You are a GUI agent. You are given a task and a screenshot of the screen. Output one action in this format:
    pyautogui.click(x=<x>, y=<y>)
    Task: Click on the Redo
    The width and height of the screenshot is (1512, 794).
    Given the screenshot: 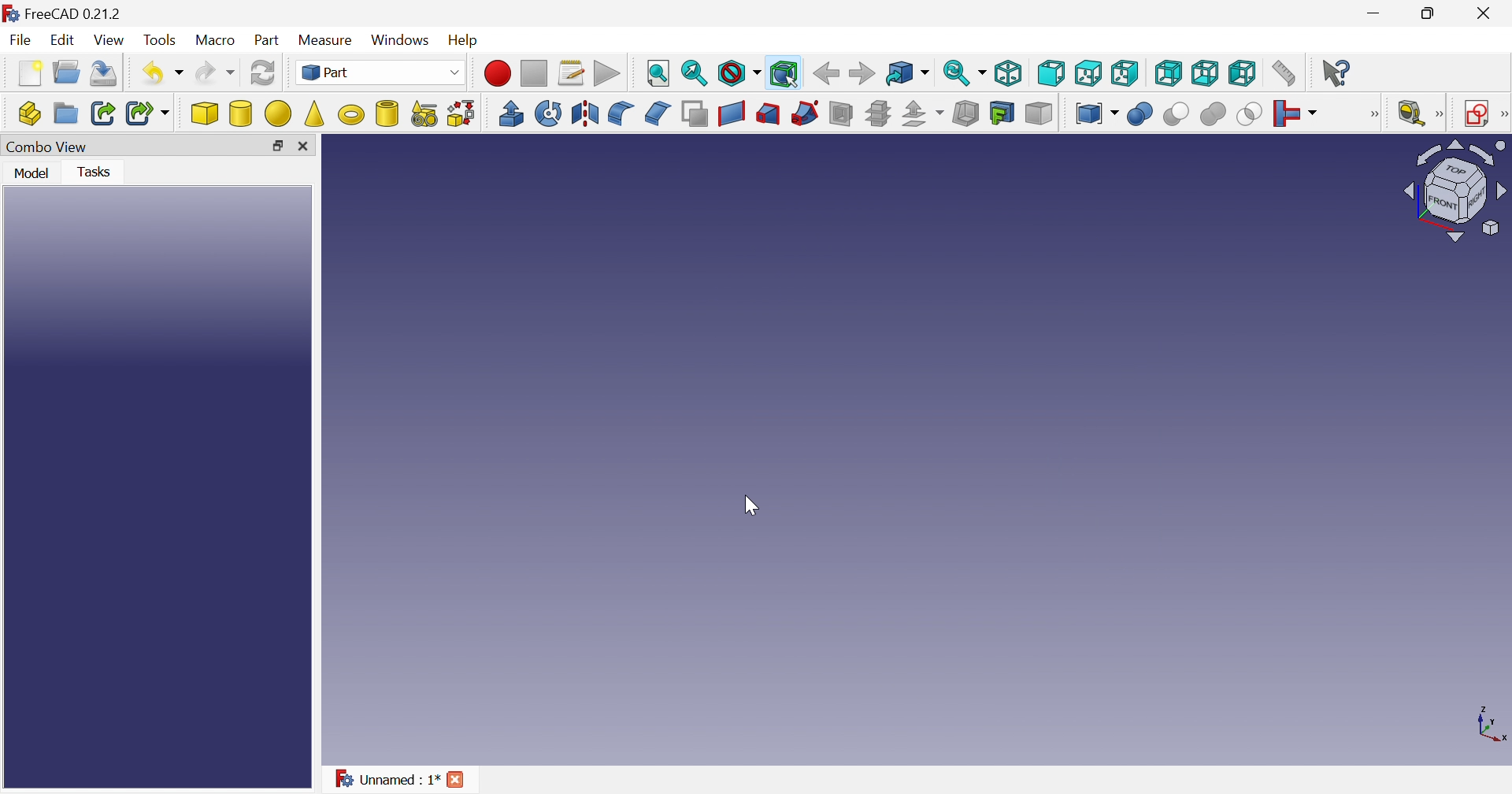 What is the action you would take?
    pyautogui.click(x=217, y=72)
    